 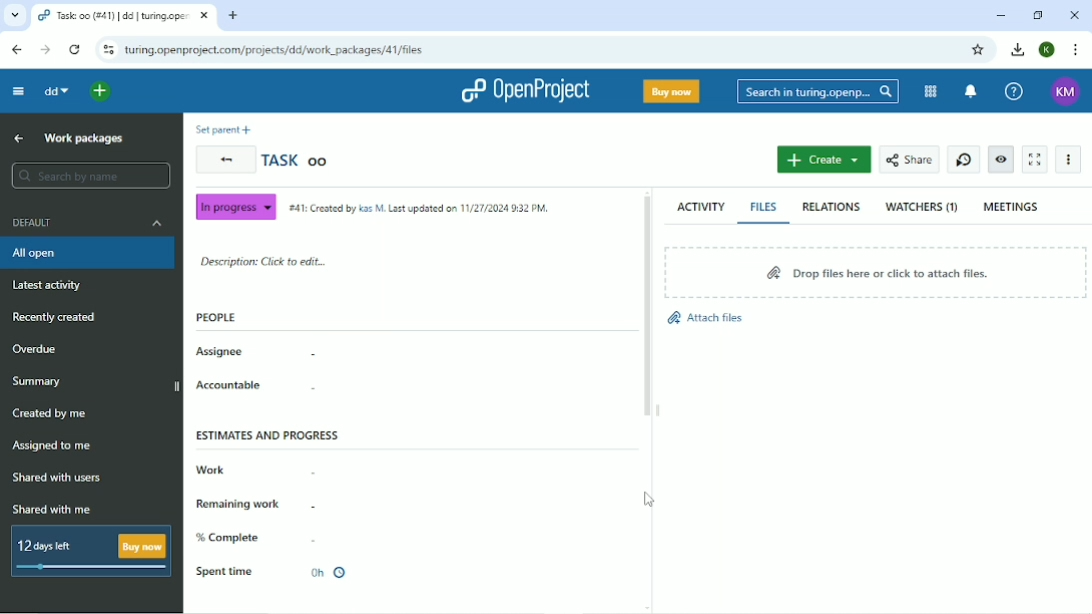 What do you see at coordinates (700, 206) in the screenshot?
I see `Activity` at bounding box center [700, 206].